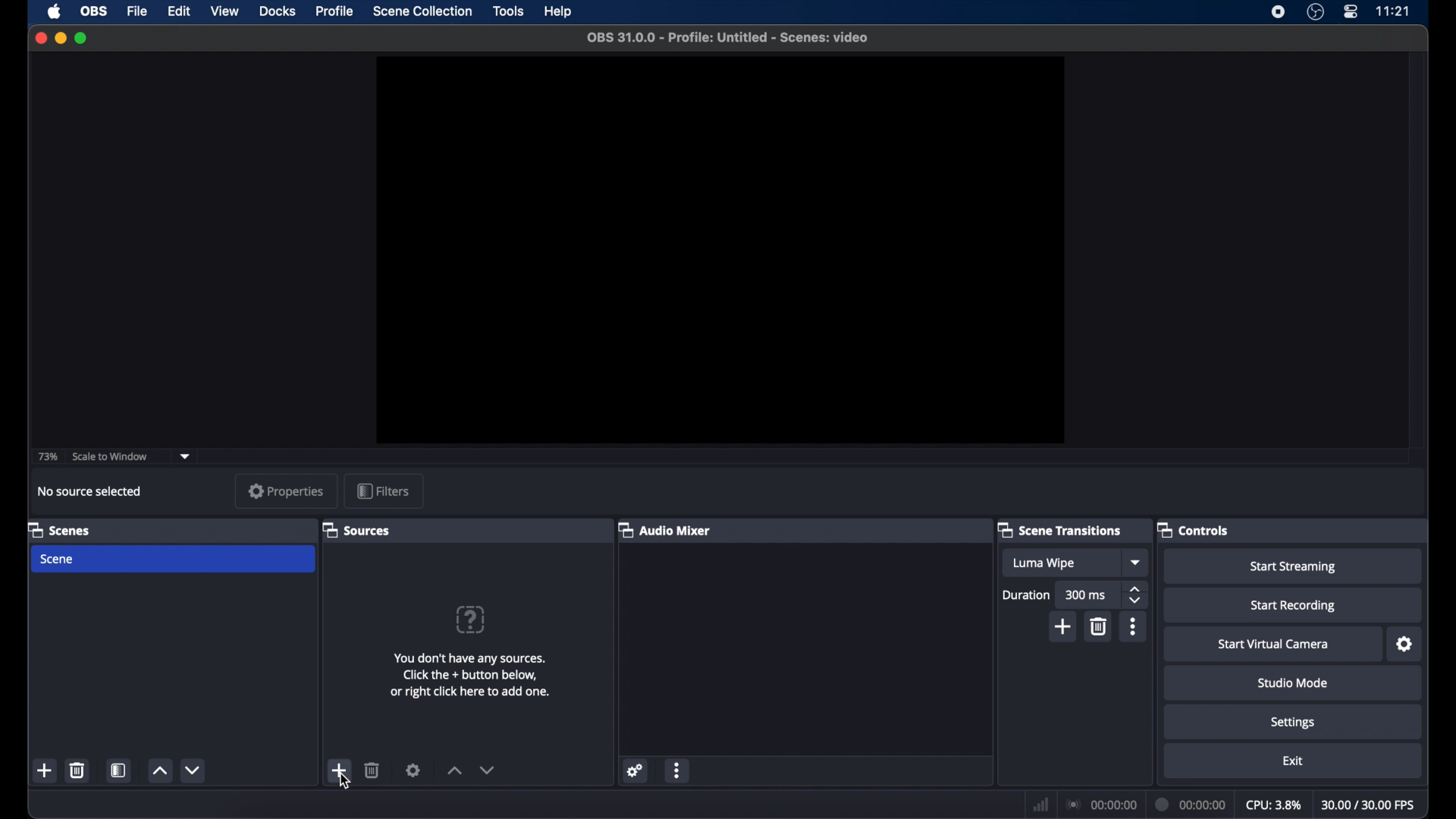  Describe the element at coordinates (278, 11) in the screenshot. I see `docks` at that location.